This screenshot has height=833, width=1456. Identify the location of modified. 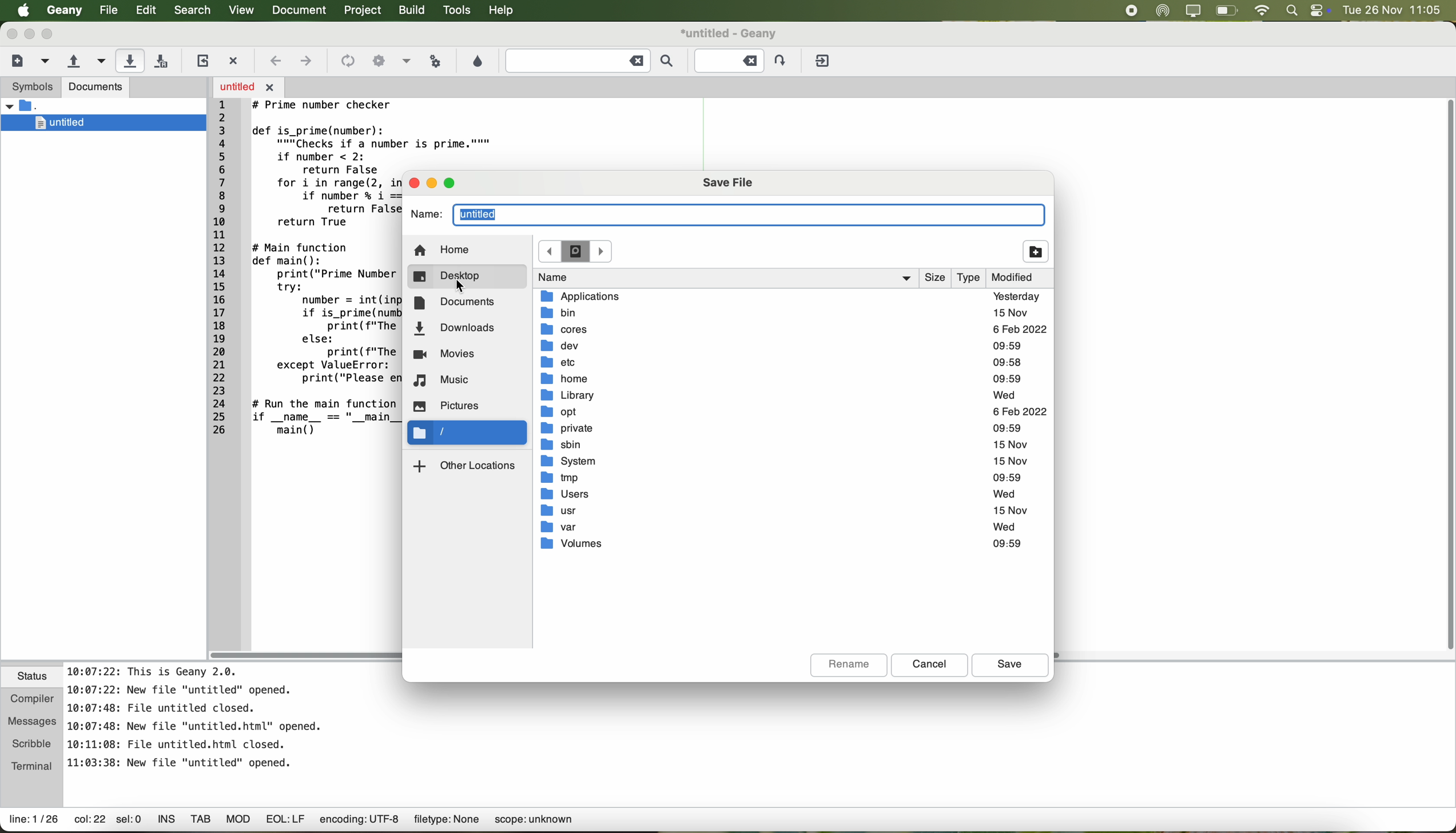
(1022, 279).